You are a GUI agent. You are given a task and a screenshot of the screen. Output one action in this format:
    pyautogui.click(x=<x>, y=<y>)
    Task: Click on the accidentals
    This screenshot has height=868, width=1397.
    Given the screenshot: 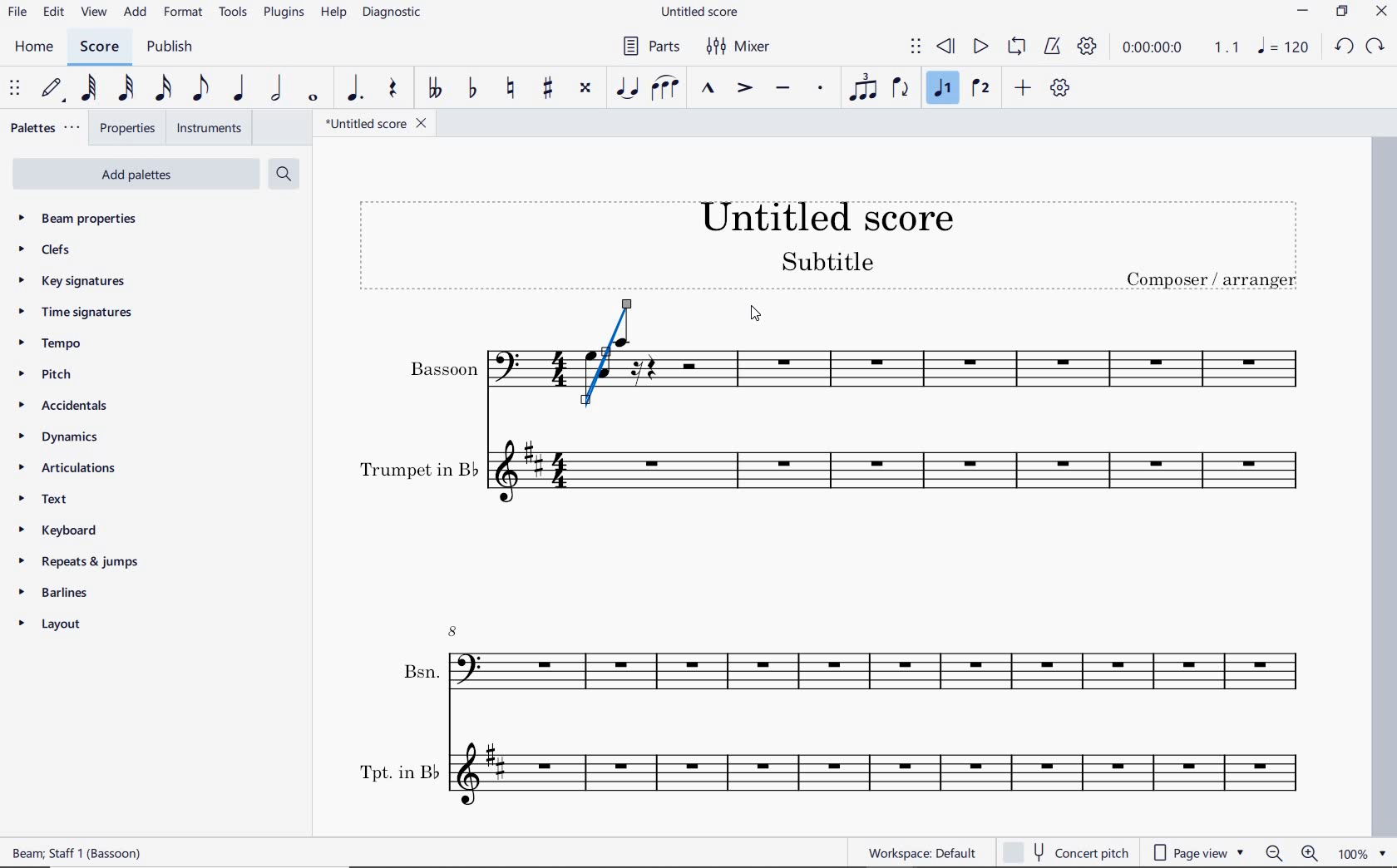 What is the action you would take?
    pyautogui.click(x=67, y=404)
    